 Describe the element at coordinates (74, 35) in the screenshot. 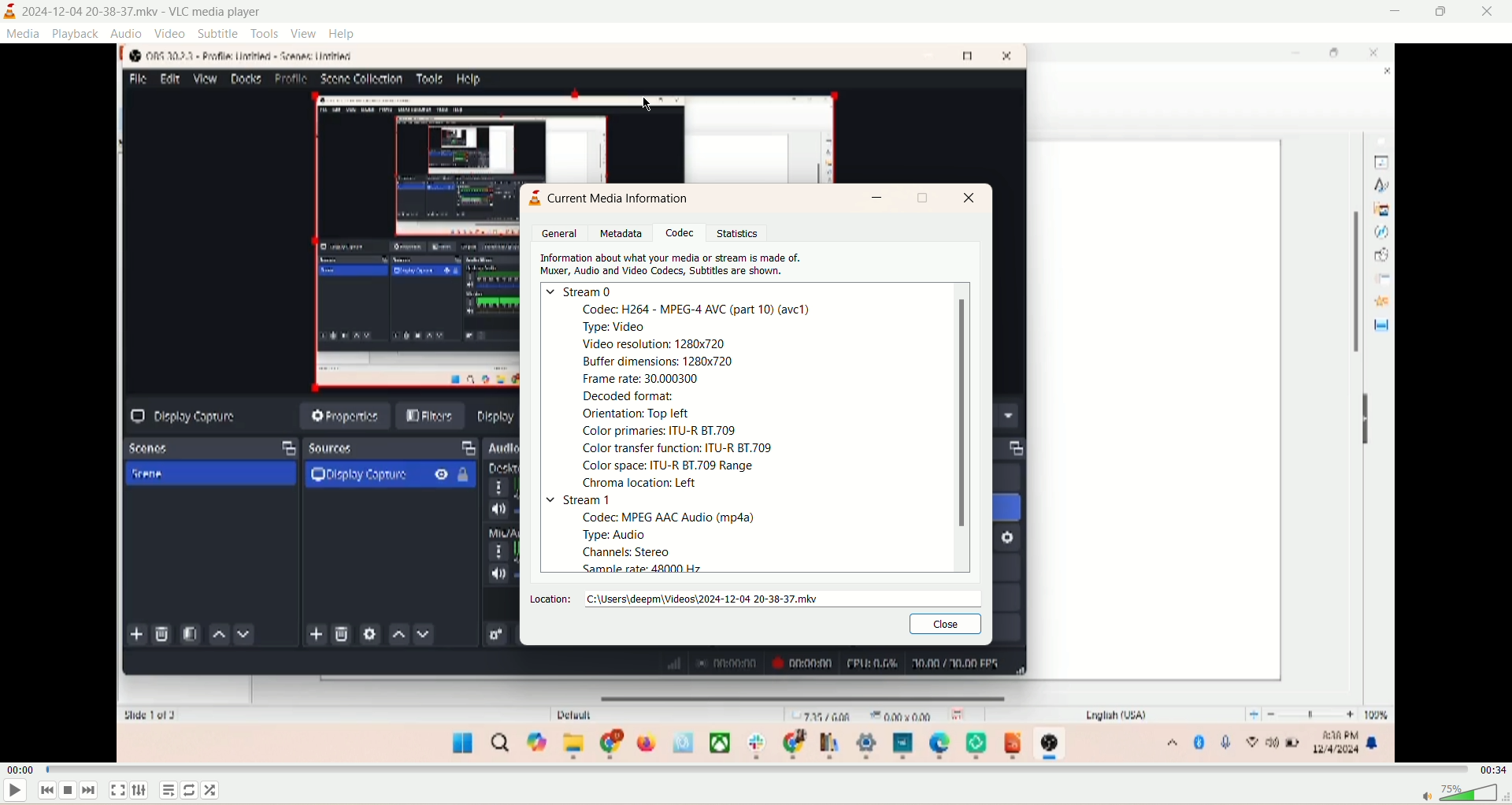

I see `playback` at that location.